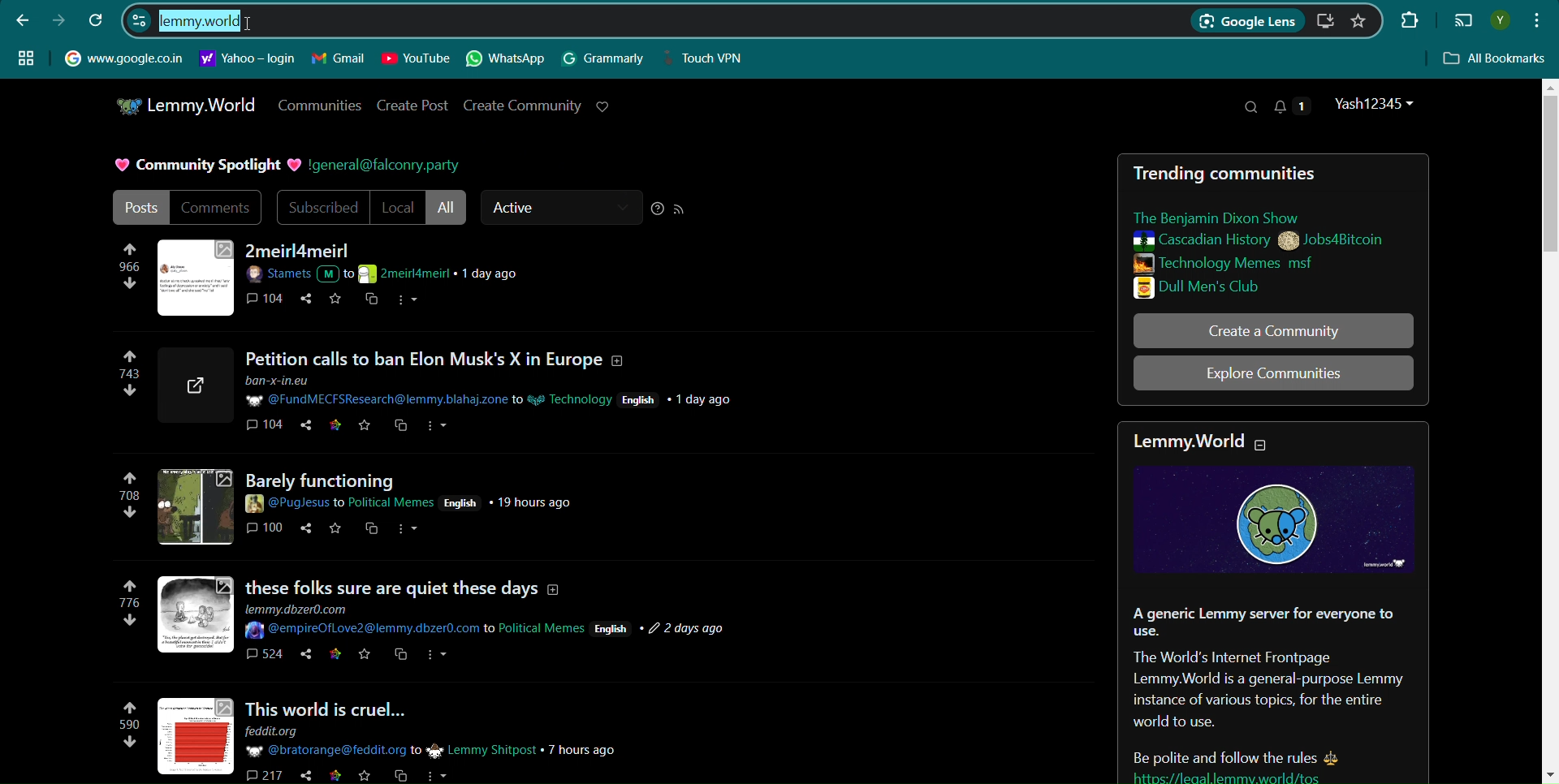 The height and width of the screenshot is (784, 1559). Describe the element at coordinates (507, 59) in the screenshot. I see `Whatsapp` at that location.